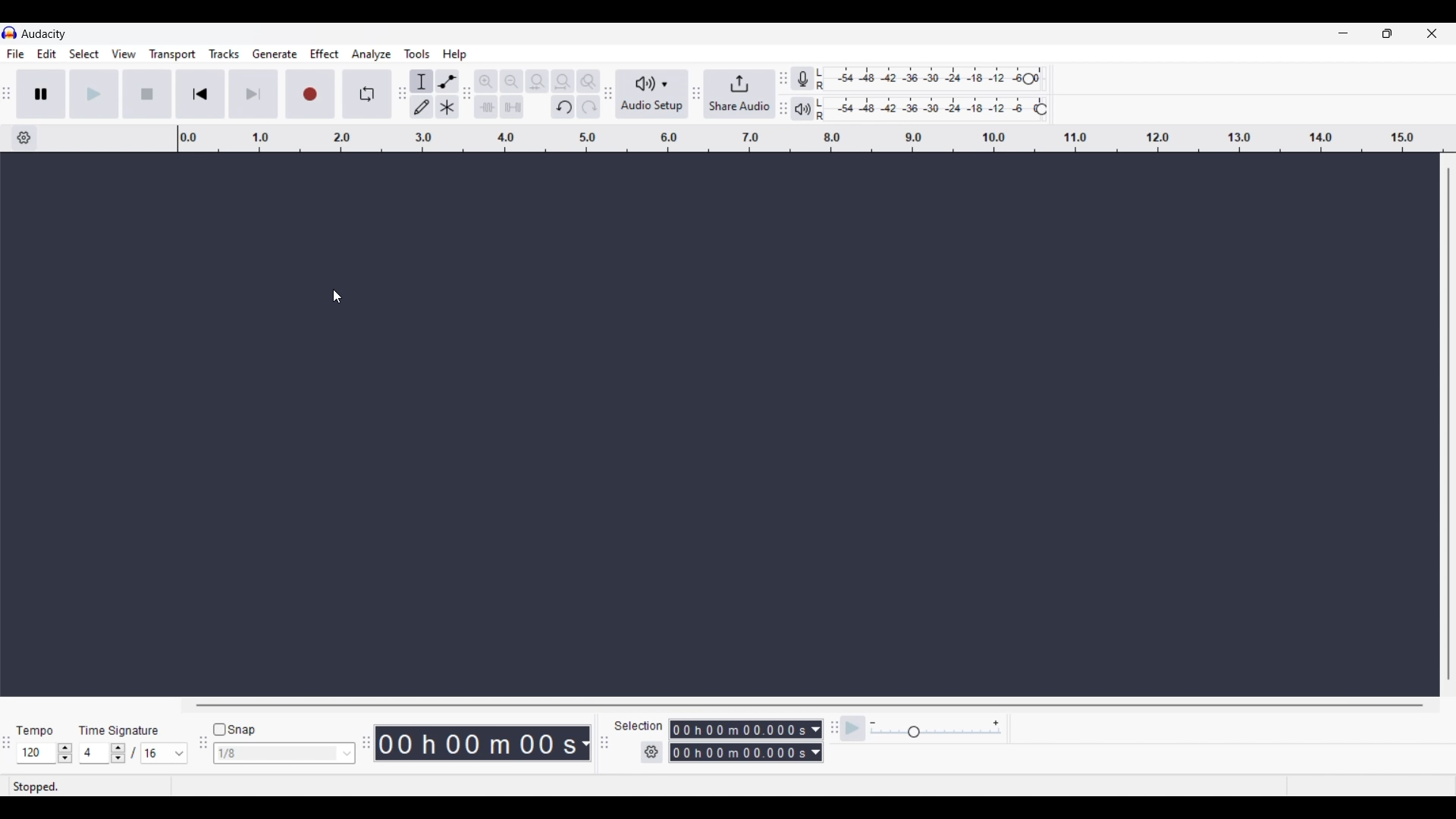 The width and height of the screenshot is (1456, 819). What do you see at coordinates (65, 753) in the screenshot?
I see `Increase/Decrease tempo` at bounding box center [65, 753].